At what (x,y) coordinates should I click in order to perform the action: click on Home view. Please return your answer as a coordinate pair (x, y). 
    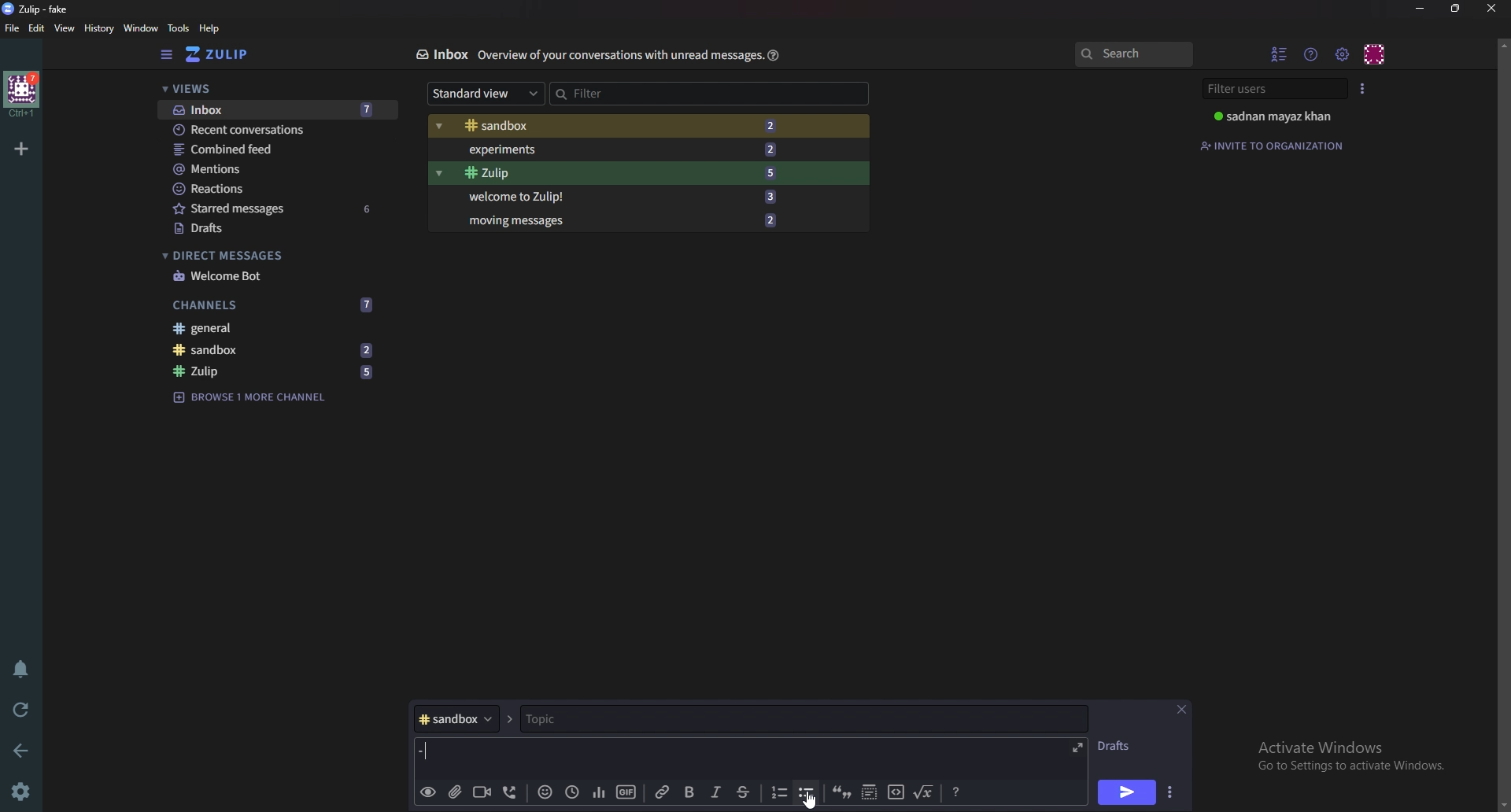
    Looking at the image, I should click on (228, 54).